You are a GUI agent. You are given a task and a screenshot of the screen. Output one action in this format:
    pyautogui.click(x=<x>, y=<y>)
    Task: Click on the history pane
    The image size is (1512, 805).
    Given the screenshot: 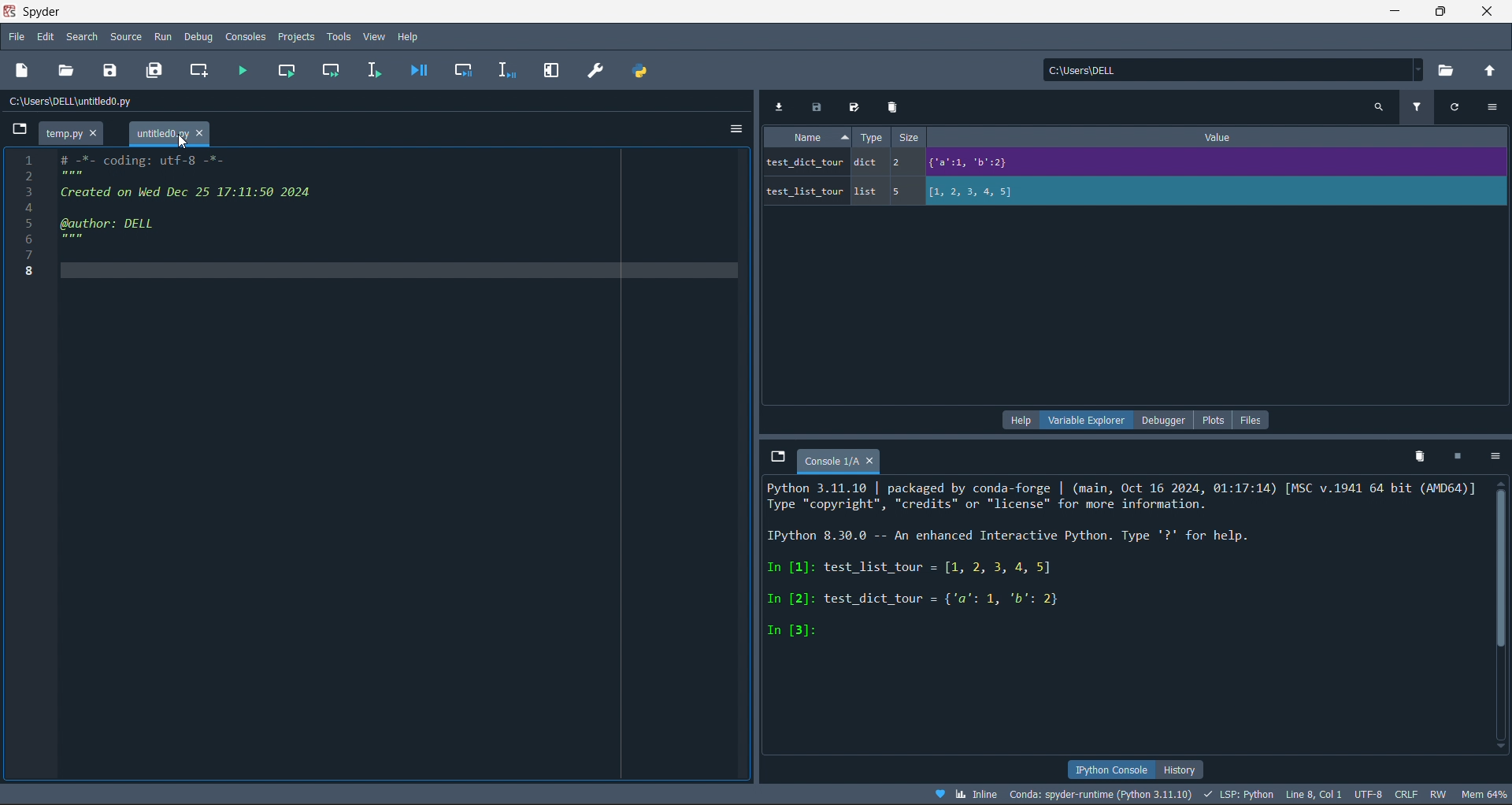 What is the action you would take?
    pyautogui.click(x=1175, y=768)
    